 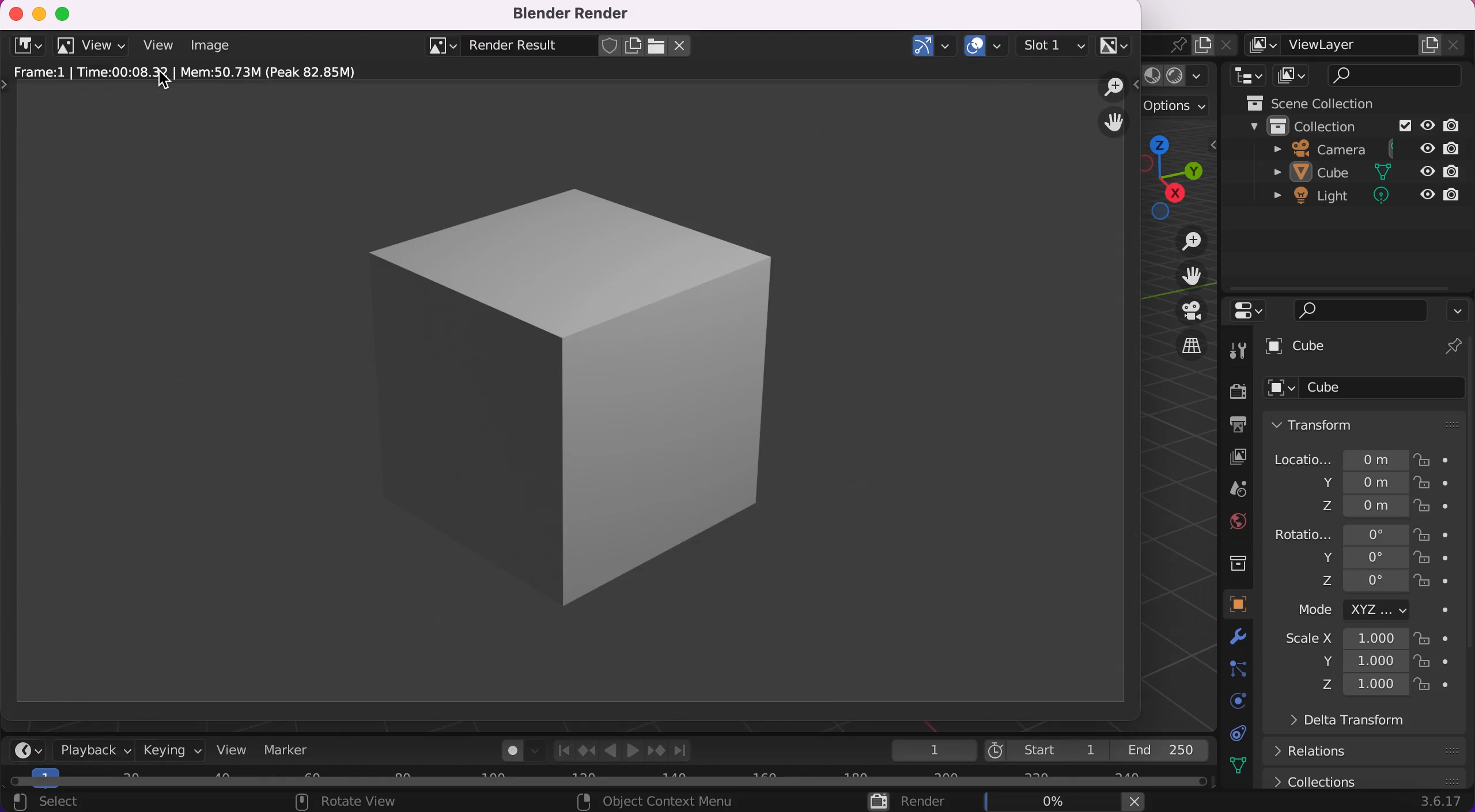 What do you see at coordinates (1230, 669) in the screenshot?
I see `particles` at bounding box center [1230, 669].